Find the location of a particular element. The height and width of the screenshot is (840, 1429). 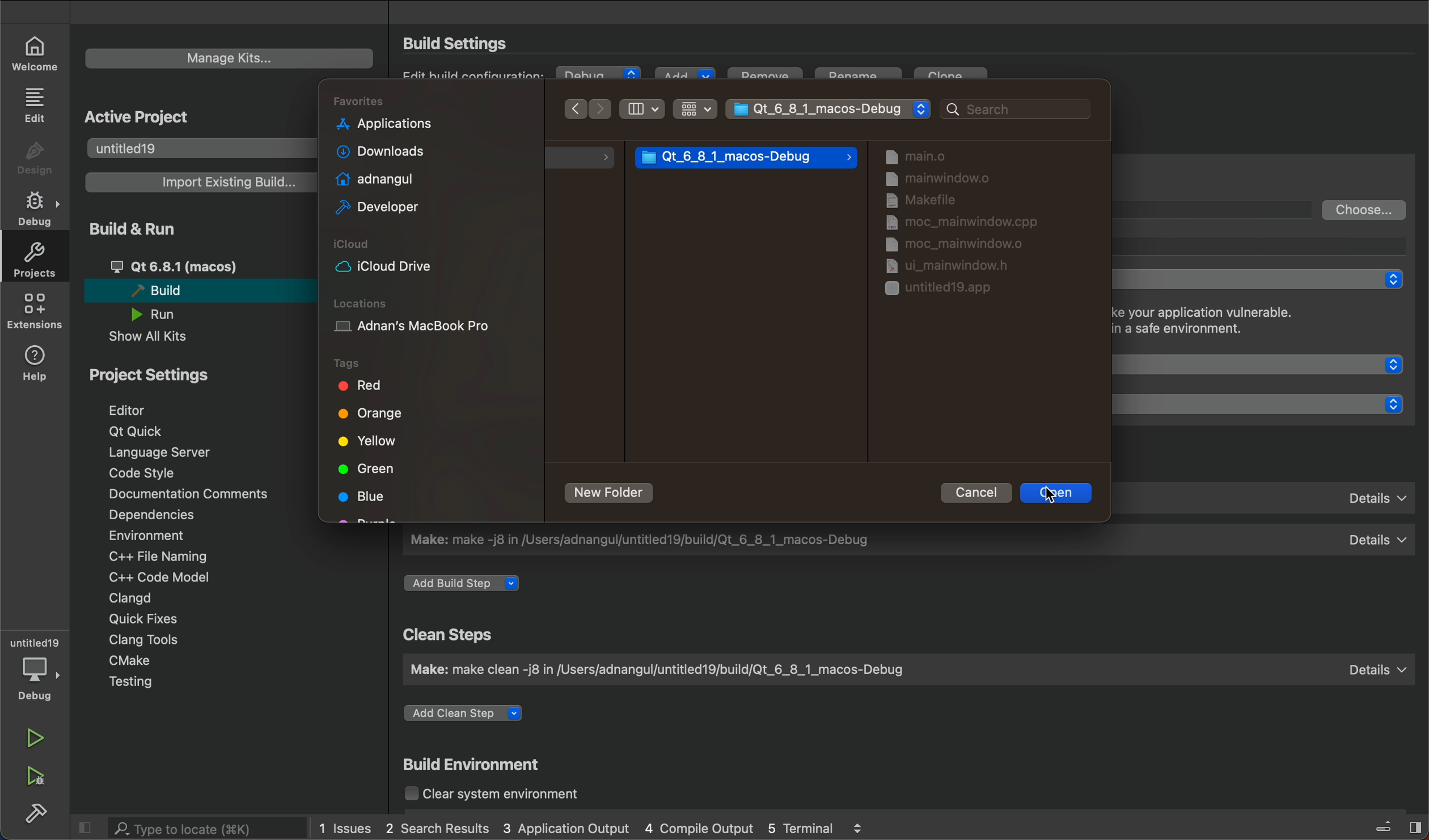

untitled is located at coordinates (197, 147).